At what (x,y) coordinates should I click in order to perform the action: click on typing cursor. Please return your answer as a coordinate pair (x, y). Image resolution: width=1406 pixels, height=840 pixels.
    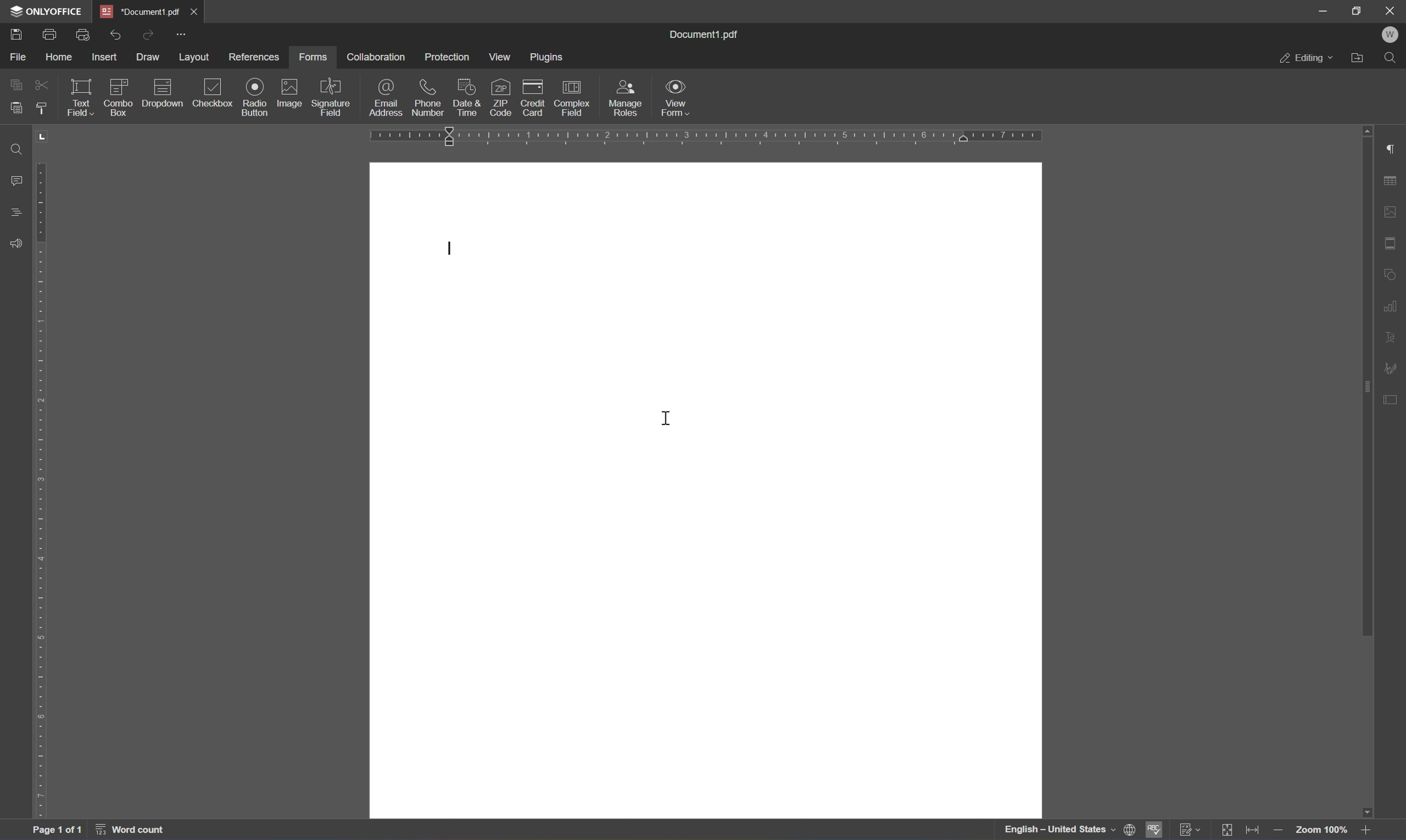
    Looking at the image, I should click on (447, 245).